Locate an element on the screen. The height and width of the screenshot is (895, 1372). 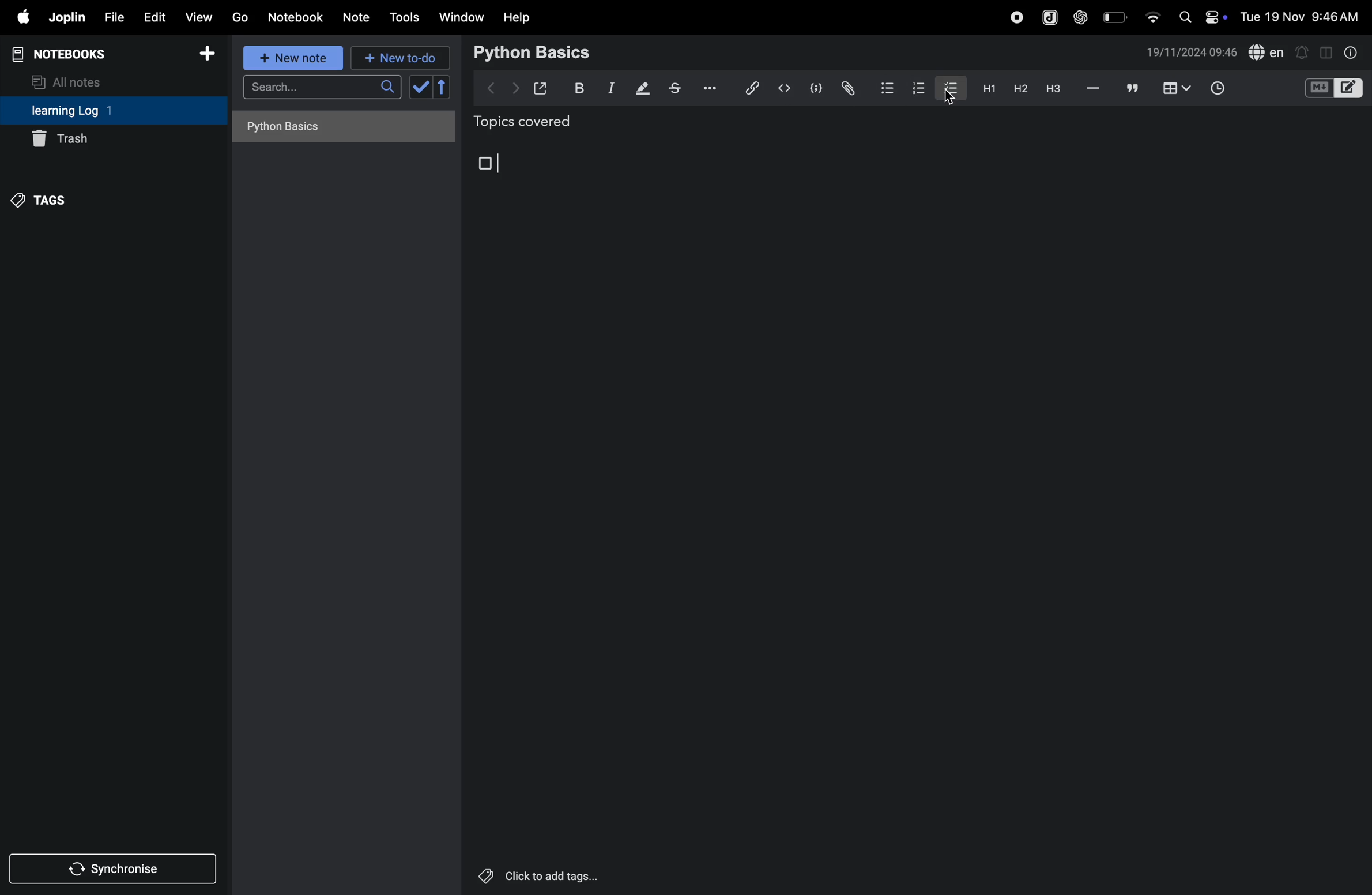
add is located at coordinates (208, 57).